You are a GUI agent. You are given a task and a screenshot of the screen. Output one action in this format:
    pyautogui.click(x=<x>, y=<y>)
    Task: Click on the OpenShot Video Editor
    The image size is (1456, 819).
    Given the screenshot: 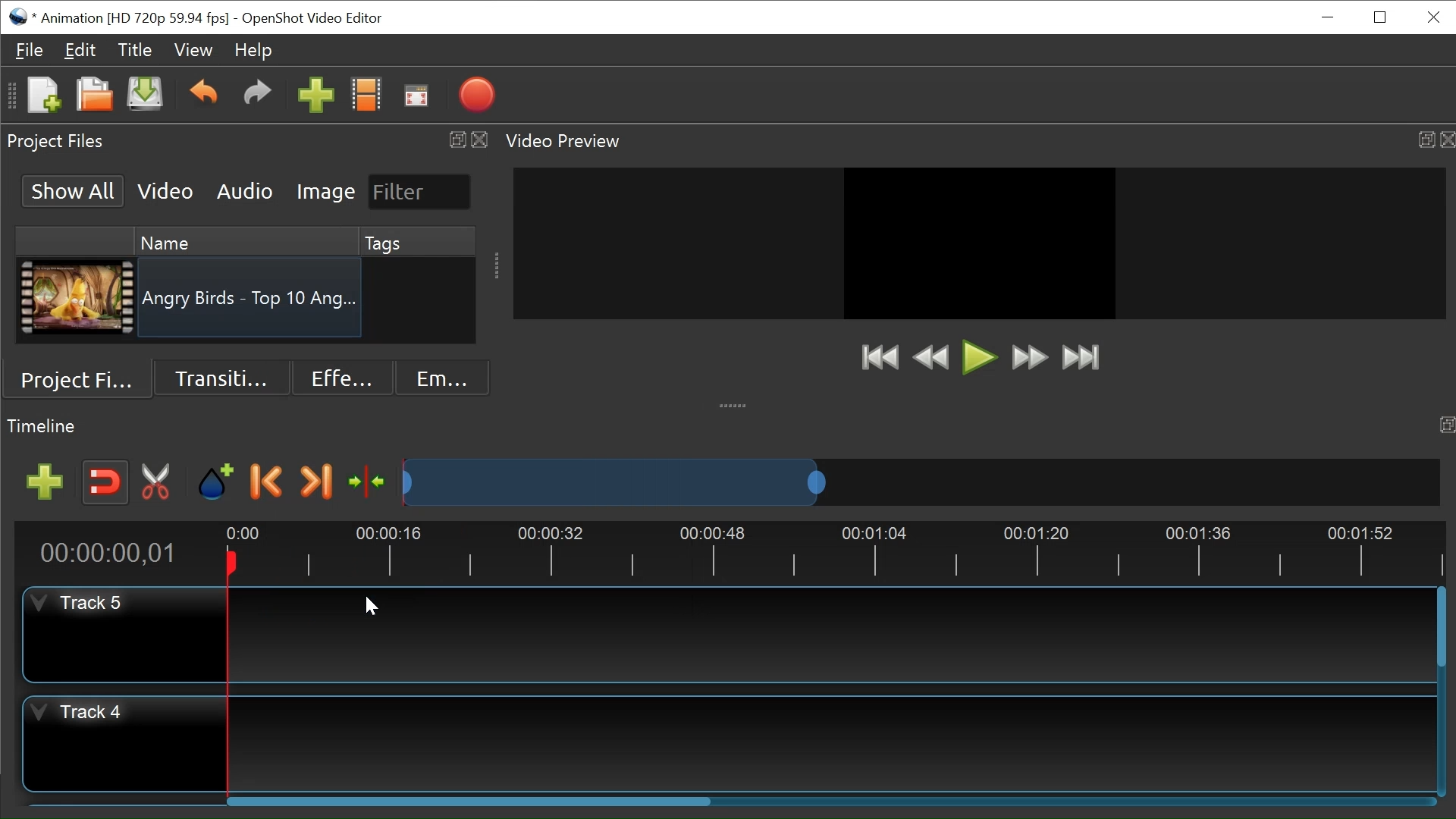 What is the action you would take?
    pyautogui.click(x=312, y=19)
    